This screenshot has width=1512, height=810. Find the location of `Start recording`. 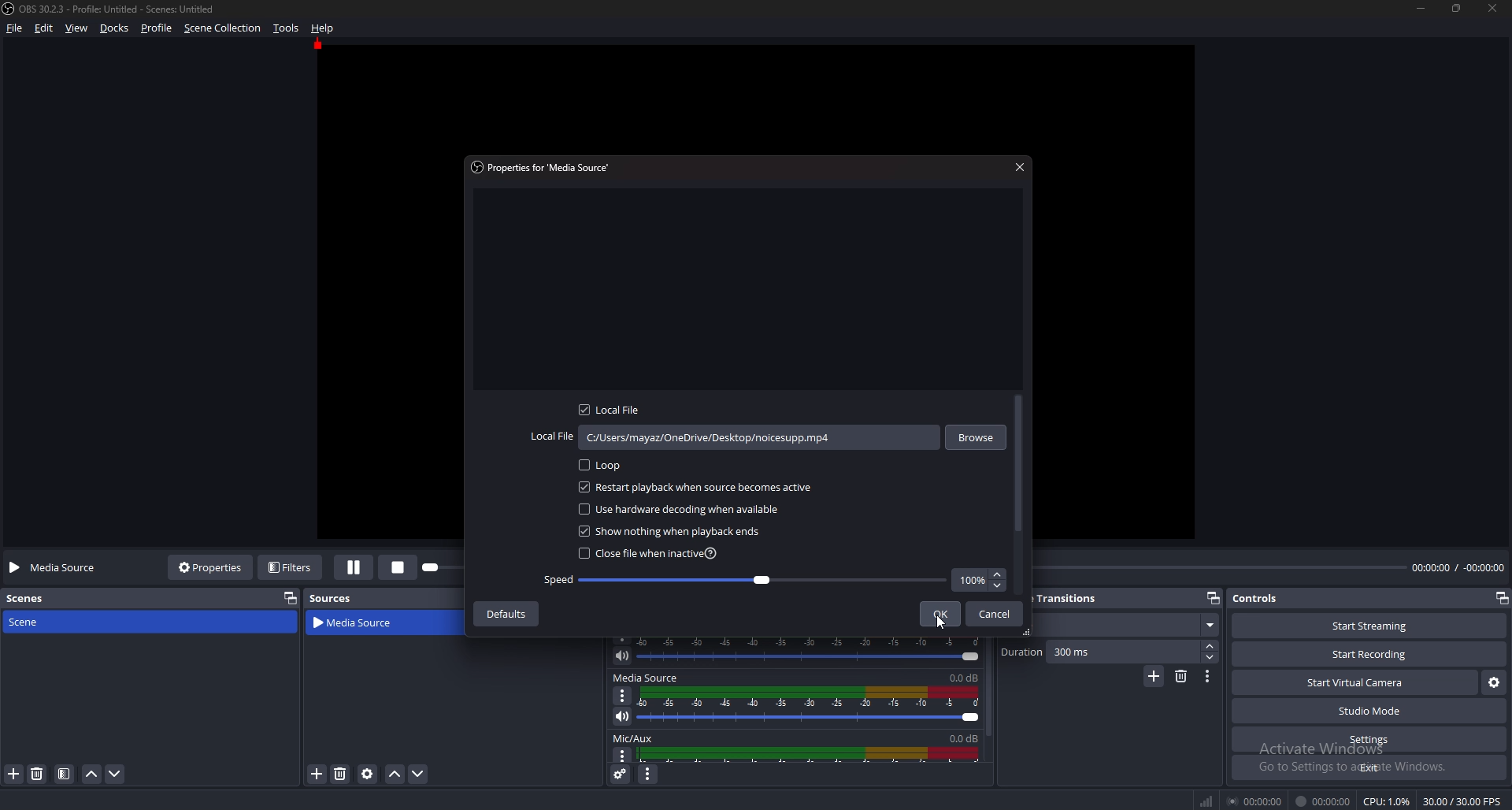

Start recording is located at coordinates (1370, 655).